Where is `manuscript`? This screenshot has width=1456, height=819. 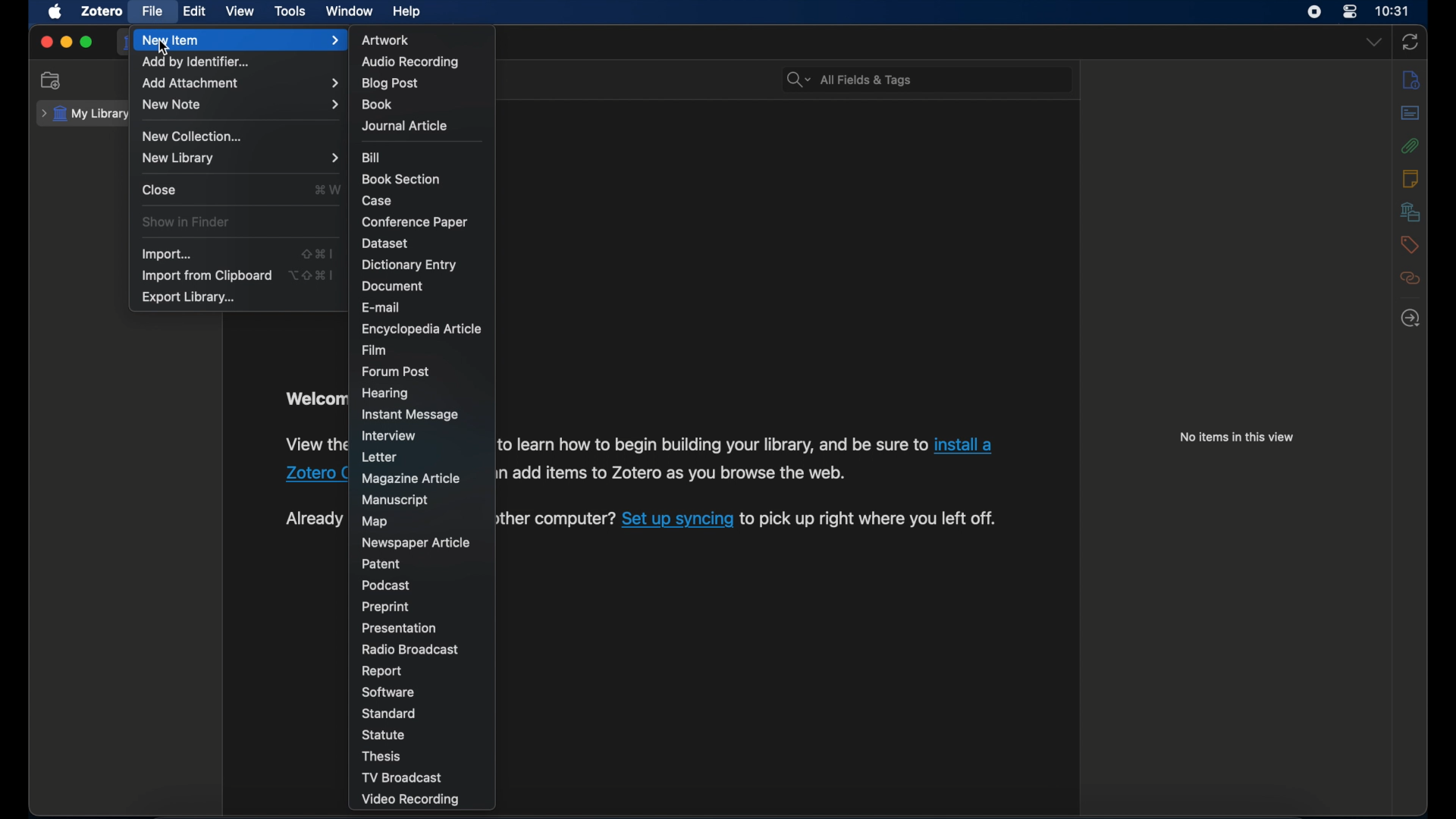 manuscript is located at coordinates (396, 501).